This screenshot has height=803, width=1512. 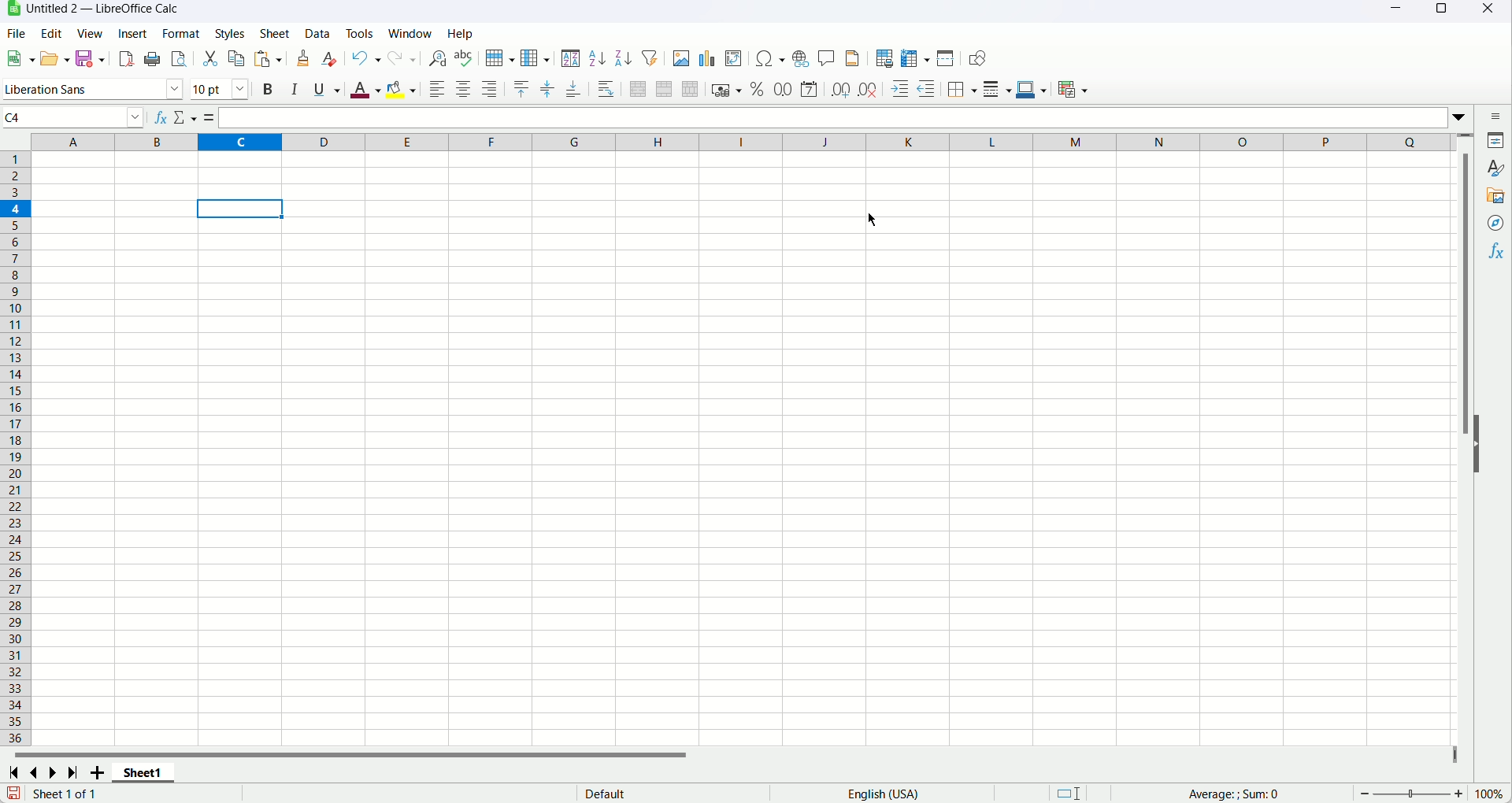 What do you see at coordinates (239, 209) in the screenshot?
I see `active cell` at bounding box center [239, 209].